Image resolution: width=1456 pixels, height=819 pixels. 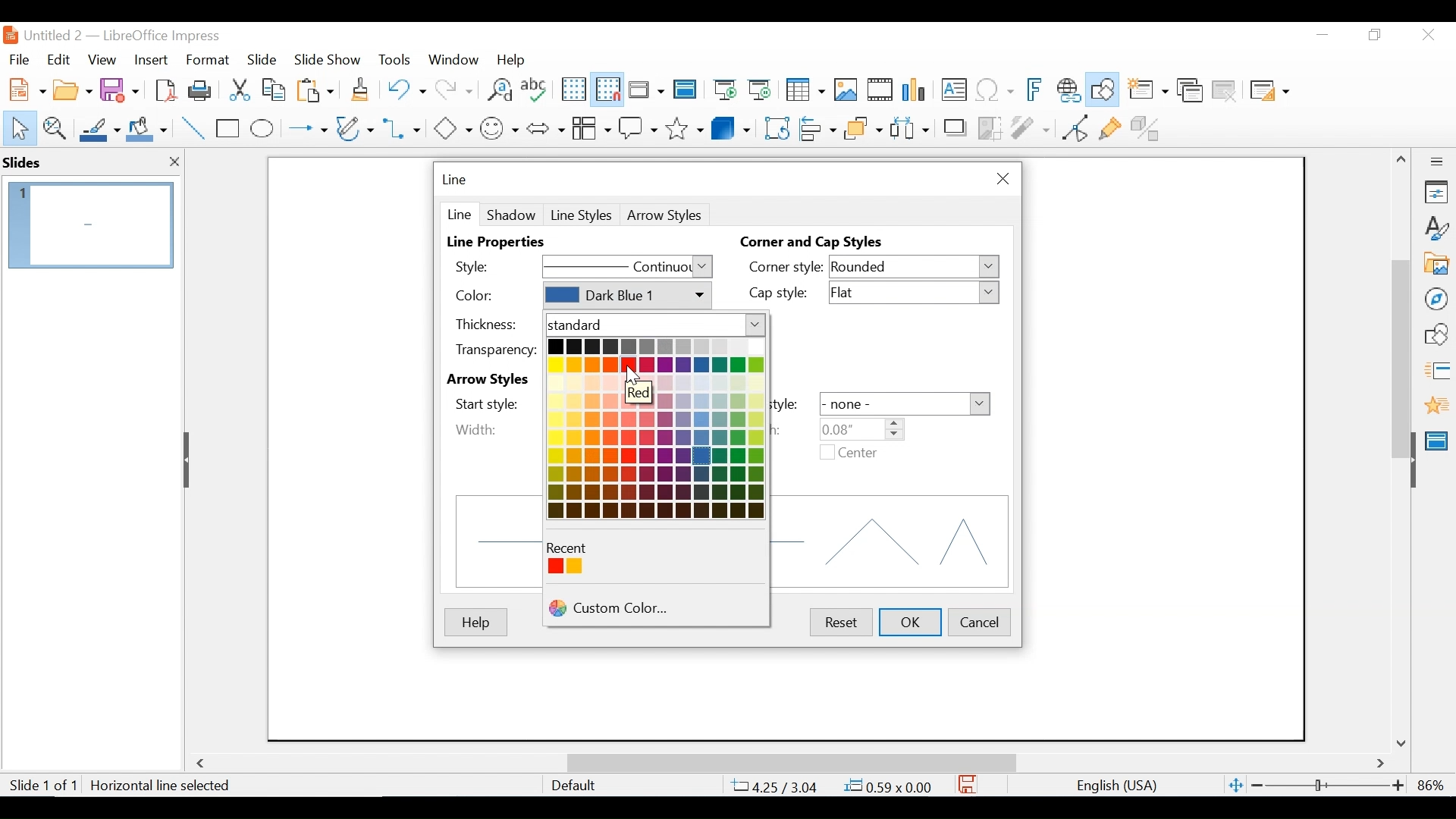 What do you see at coordinates (89, 224) in the screenshot?
I see `Slide Preview` at bounding box center [89, 224].